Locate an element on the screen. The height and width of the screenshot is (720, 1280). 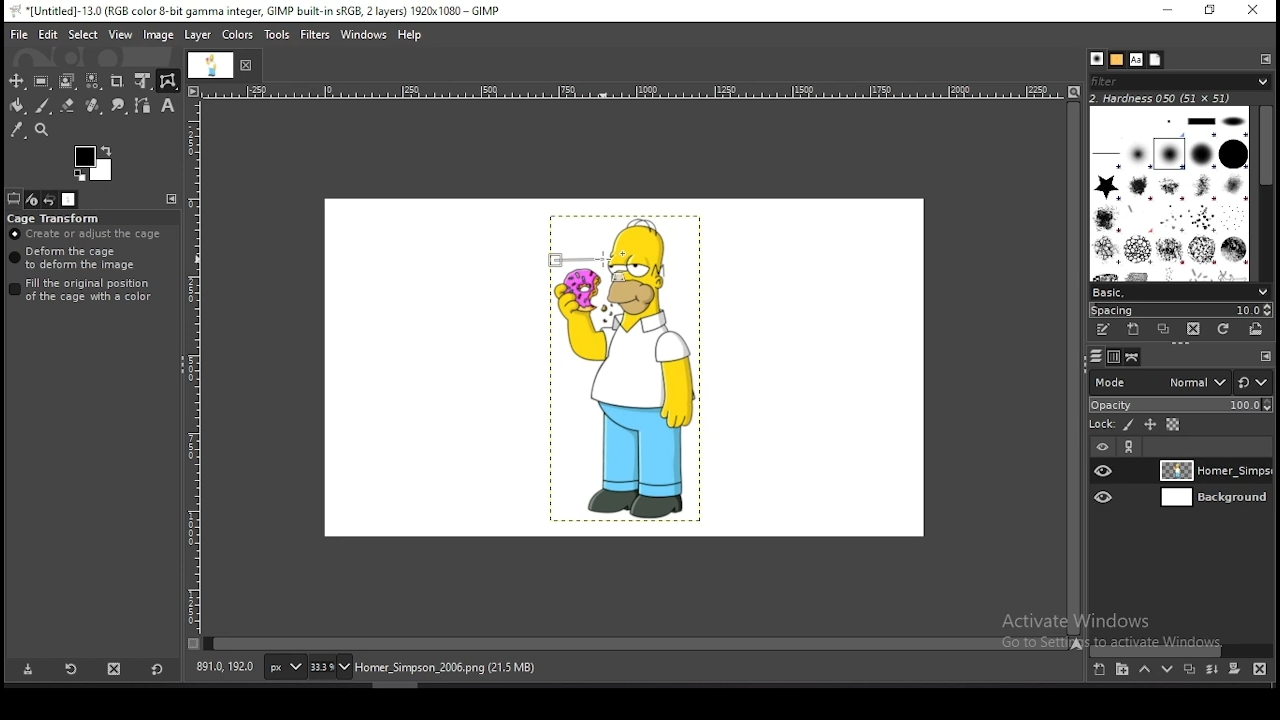
configure this tab is located at coordinates (171, 198).